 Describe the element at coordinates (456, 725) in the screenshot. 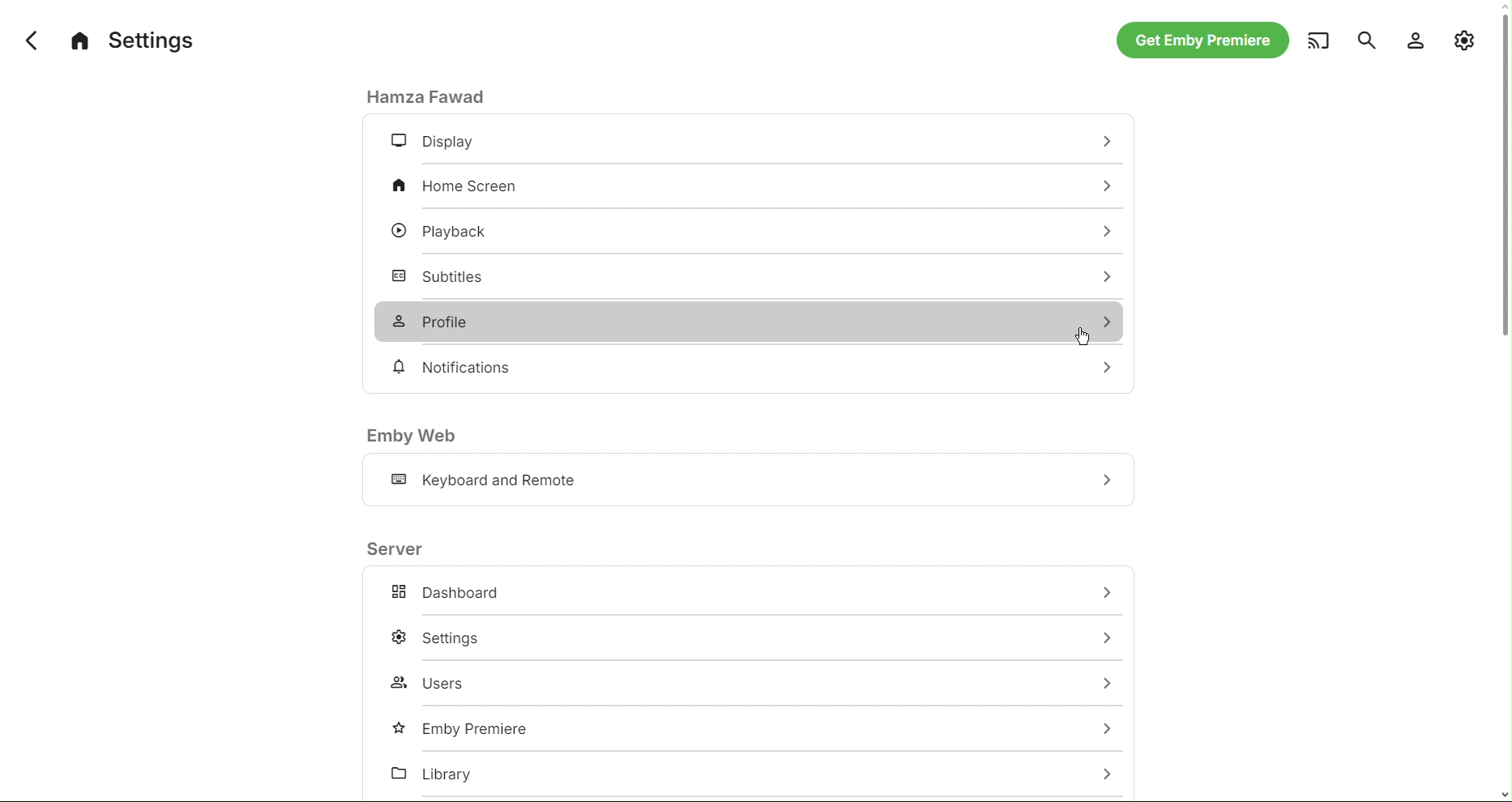

I see `Emby Premiere` at that location.